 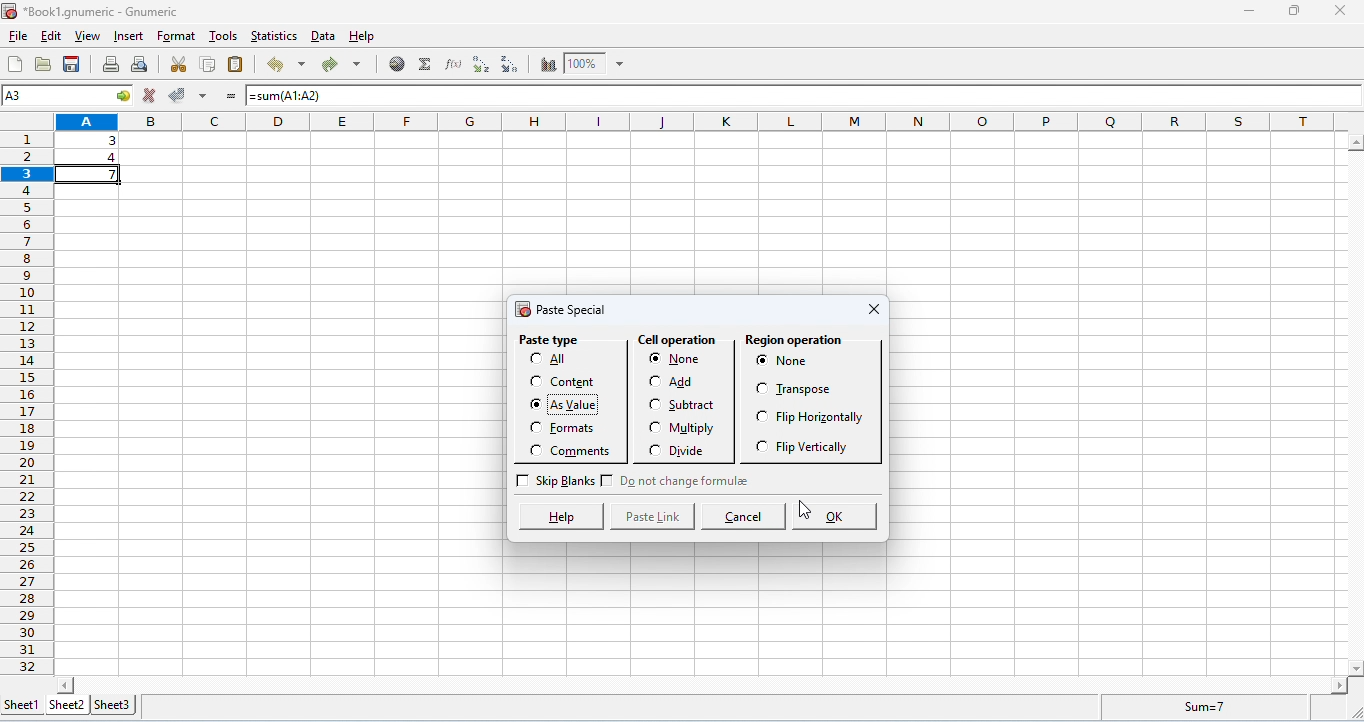 I want to click on edit, so click(x=52, y=35).